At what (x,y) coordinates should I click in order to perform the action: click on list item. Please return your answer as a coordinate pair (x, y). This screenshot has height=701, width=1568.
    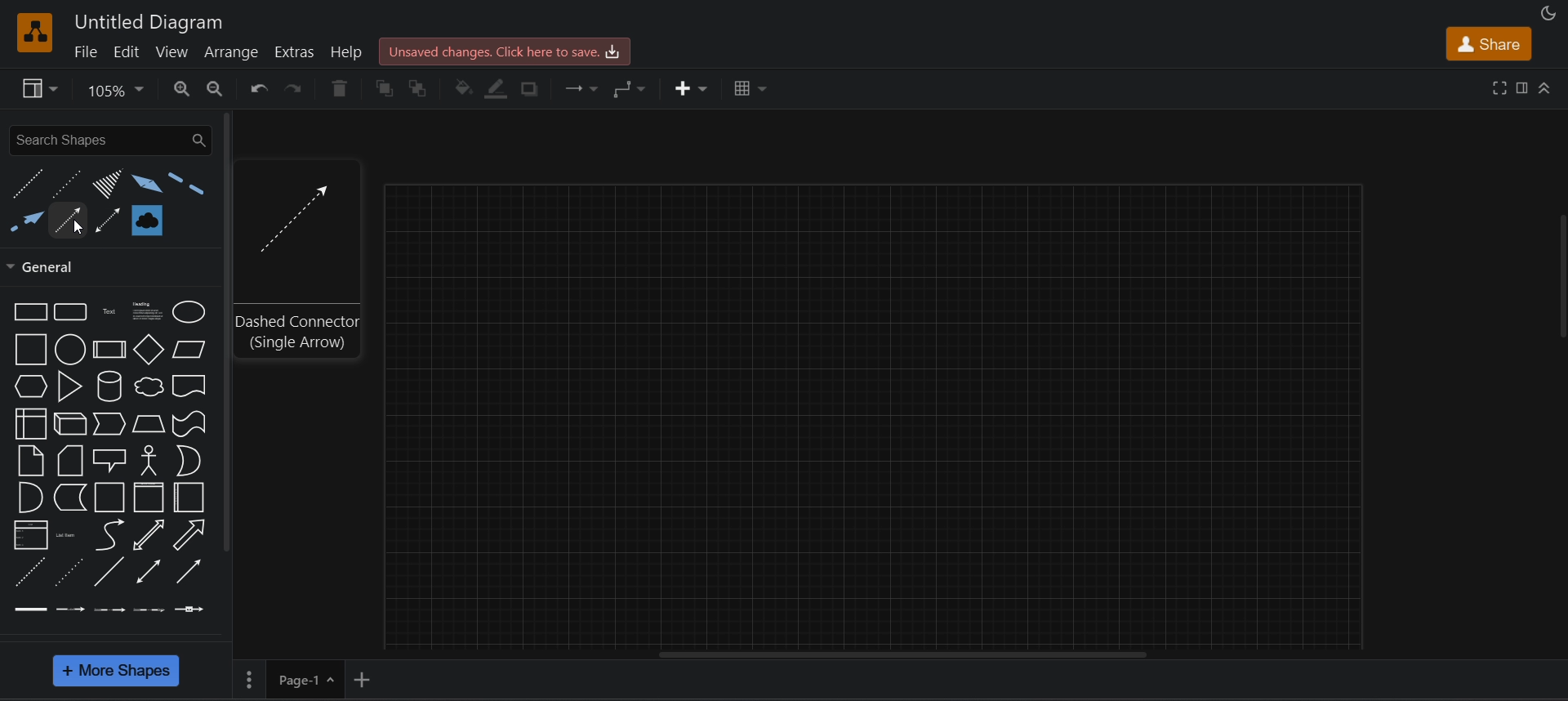
    Looking at the image, I should click on (65, 533).